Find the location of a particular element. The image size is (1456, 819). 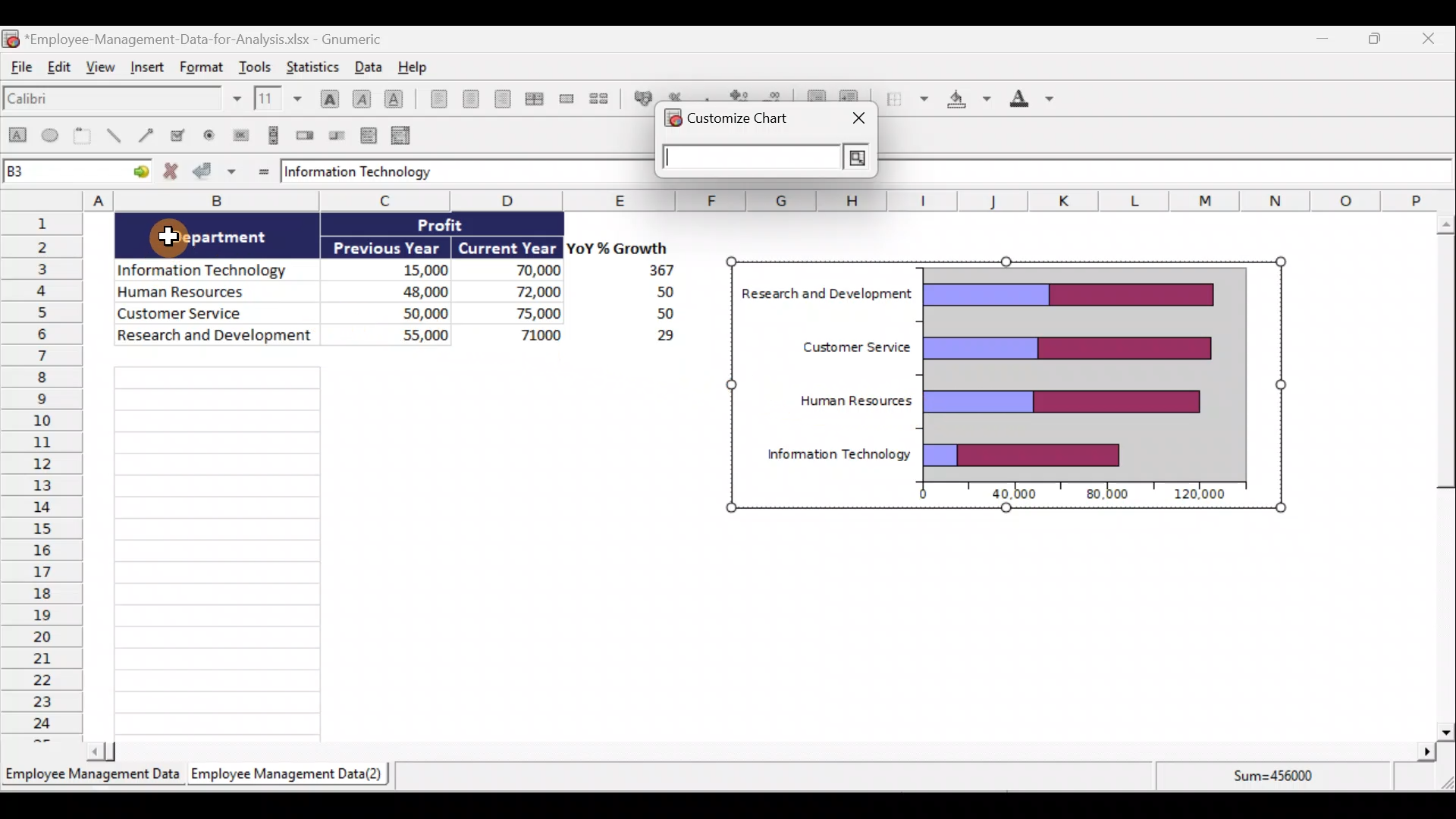

Cursor is located at coordinates (172, 238).